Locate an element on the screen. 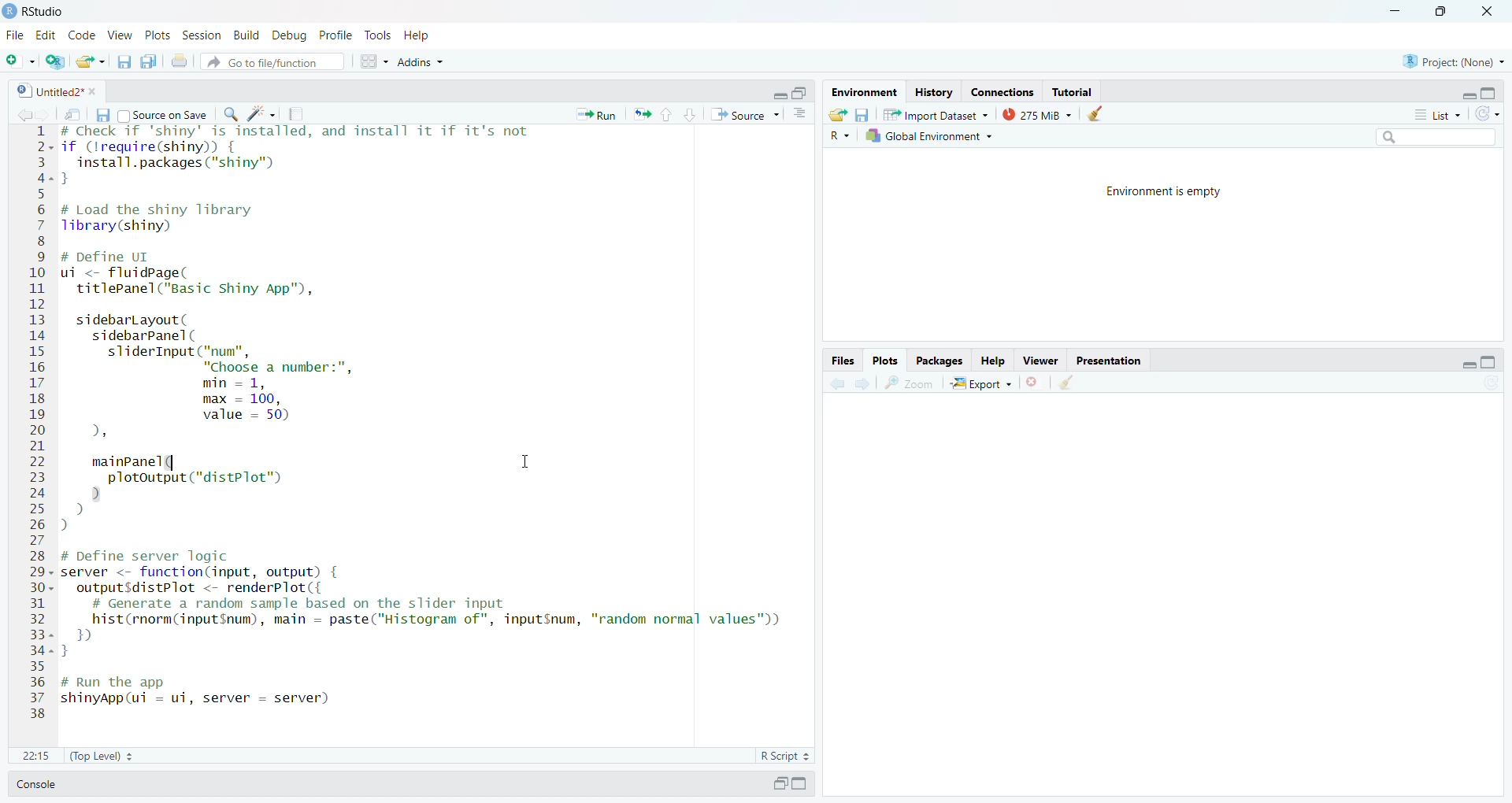 The width and height of the screenshot is (1512, 803). resize is located at coordinates (780, 783).